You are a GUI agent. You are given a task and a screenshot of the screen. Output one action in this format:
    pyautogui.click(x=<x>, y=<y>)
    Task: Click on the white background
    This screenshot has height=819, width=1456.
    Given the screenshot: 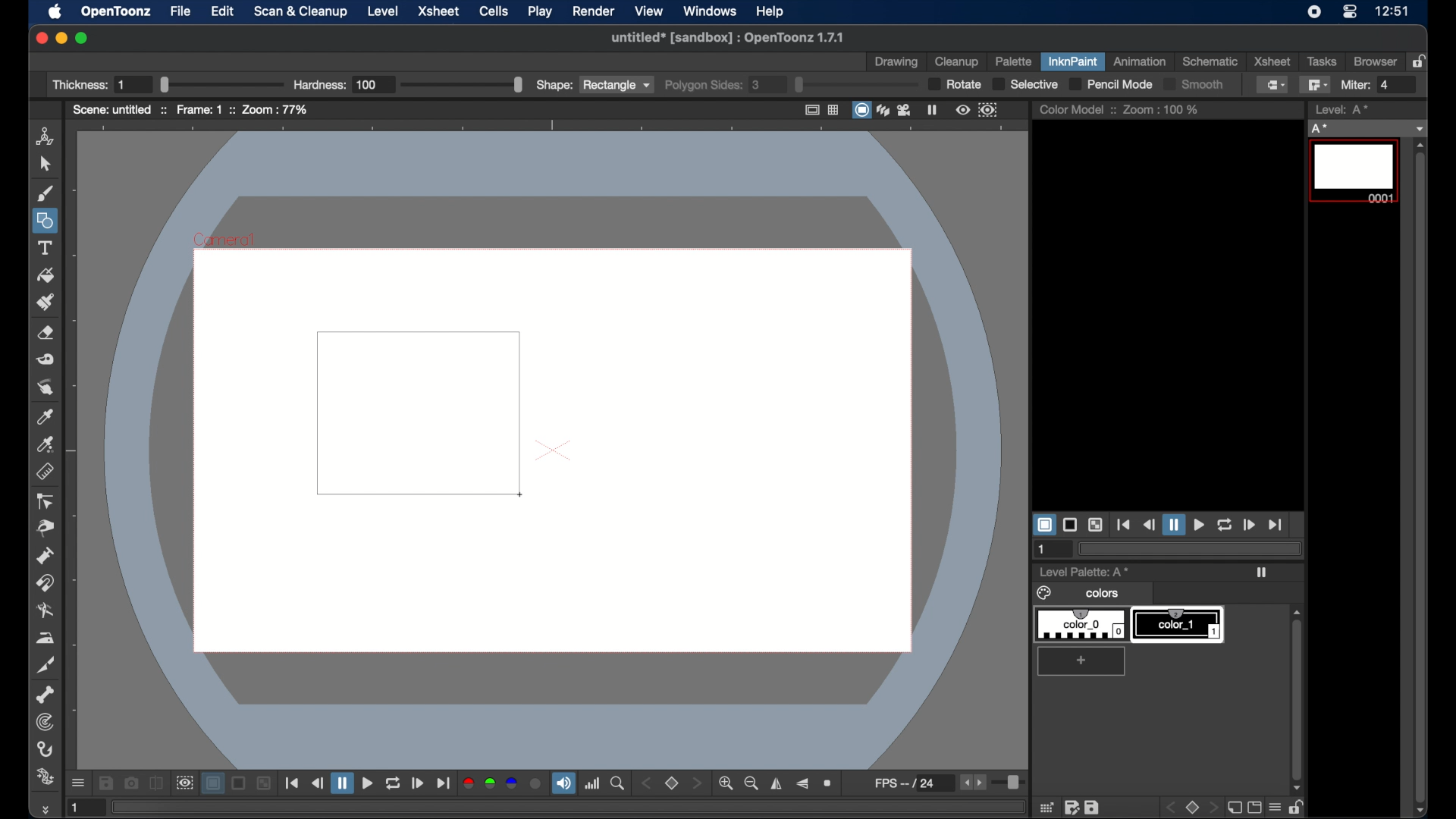 What is the action you would take?
    pyautogui.click(x=212, y=783)
    